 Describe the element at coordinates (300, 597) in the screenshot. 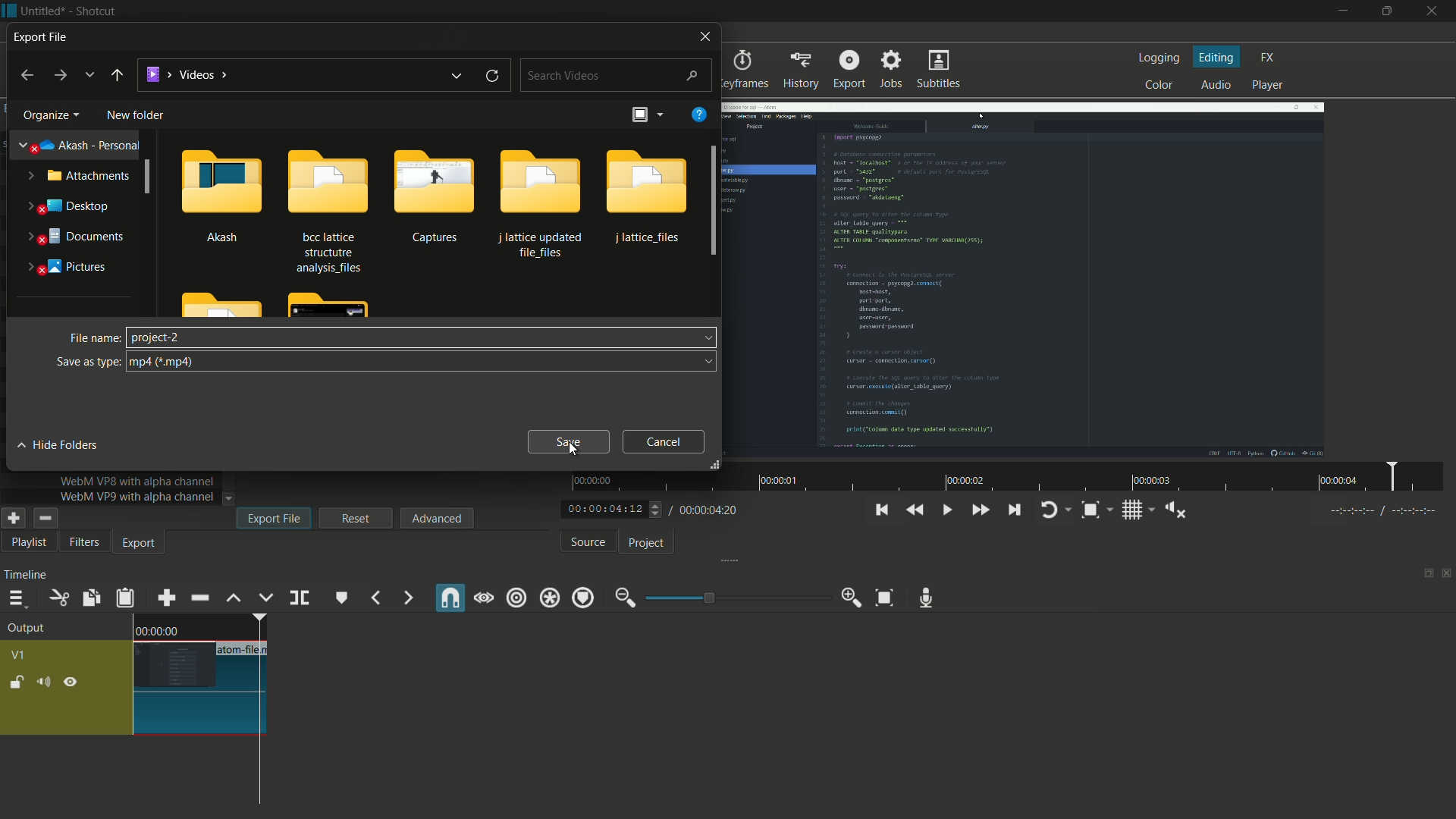

I see `split at playhead` at that location.